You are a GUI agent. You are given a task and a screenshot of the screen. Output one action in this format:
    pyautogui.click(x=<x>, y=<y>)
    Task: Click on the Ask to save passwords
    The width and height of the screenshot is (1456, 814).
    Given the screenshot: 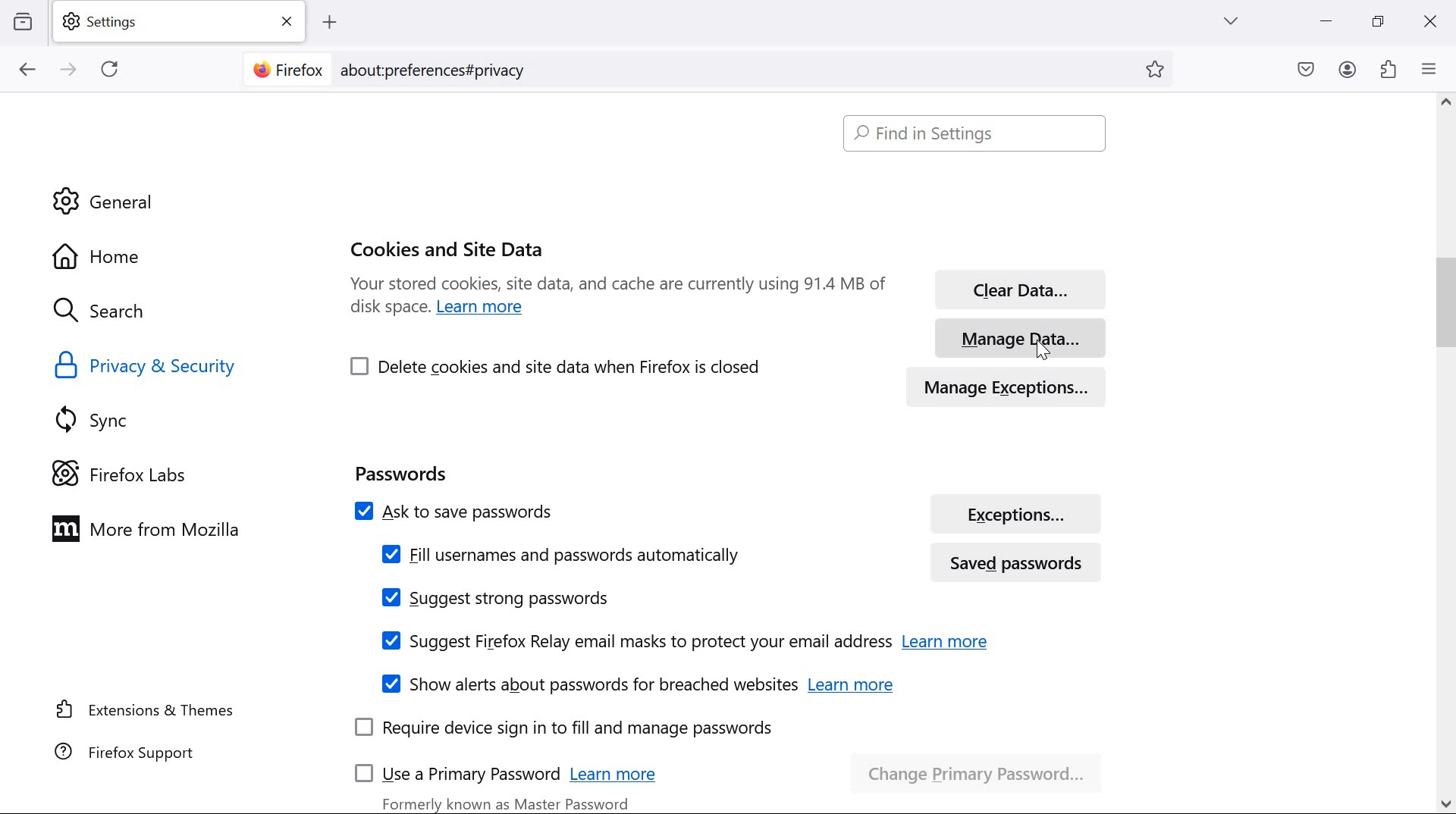 What is the action you would take?
    pyautogui.click(x=617, y=509)
    